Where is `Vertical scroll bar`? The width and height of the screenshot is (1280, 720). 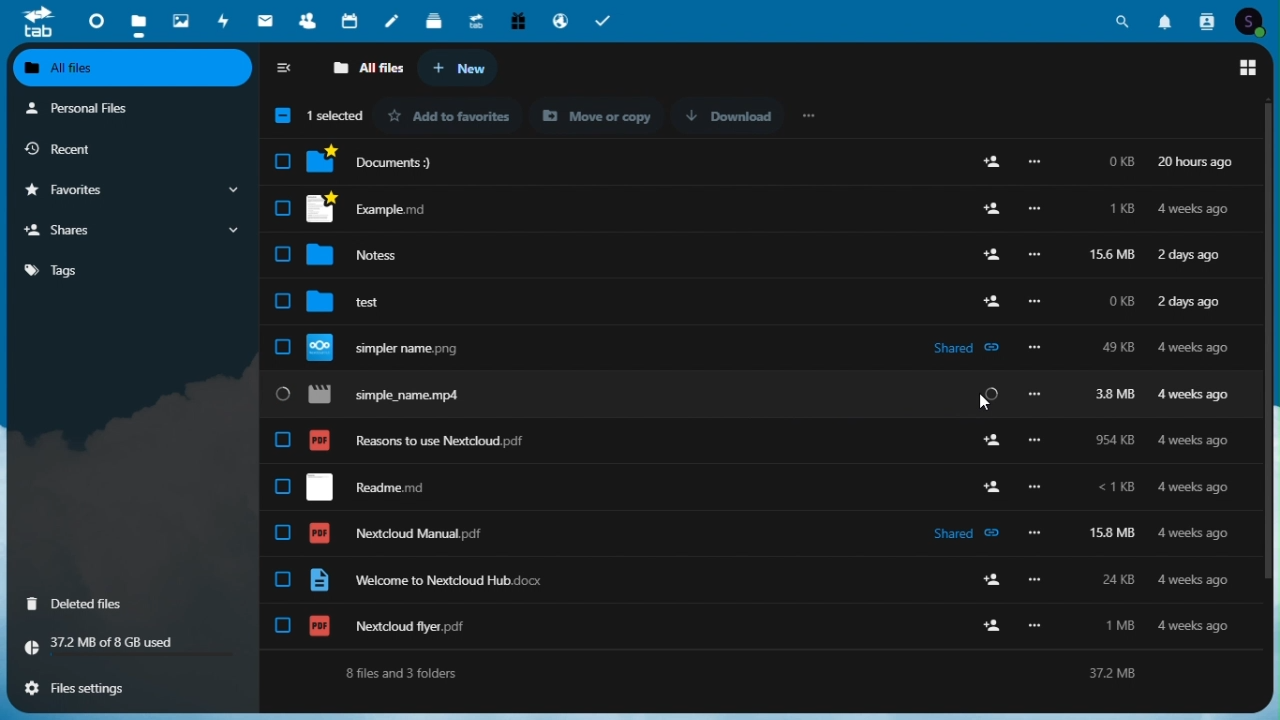 Vertical scroll bar is located at coordinates (1272, 371).